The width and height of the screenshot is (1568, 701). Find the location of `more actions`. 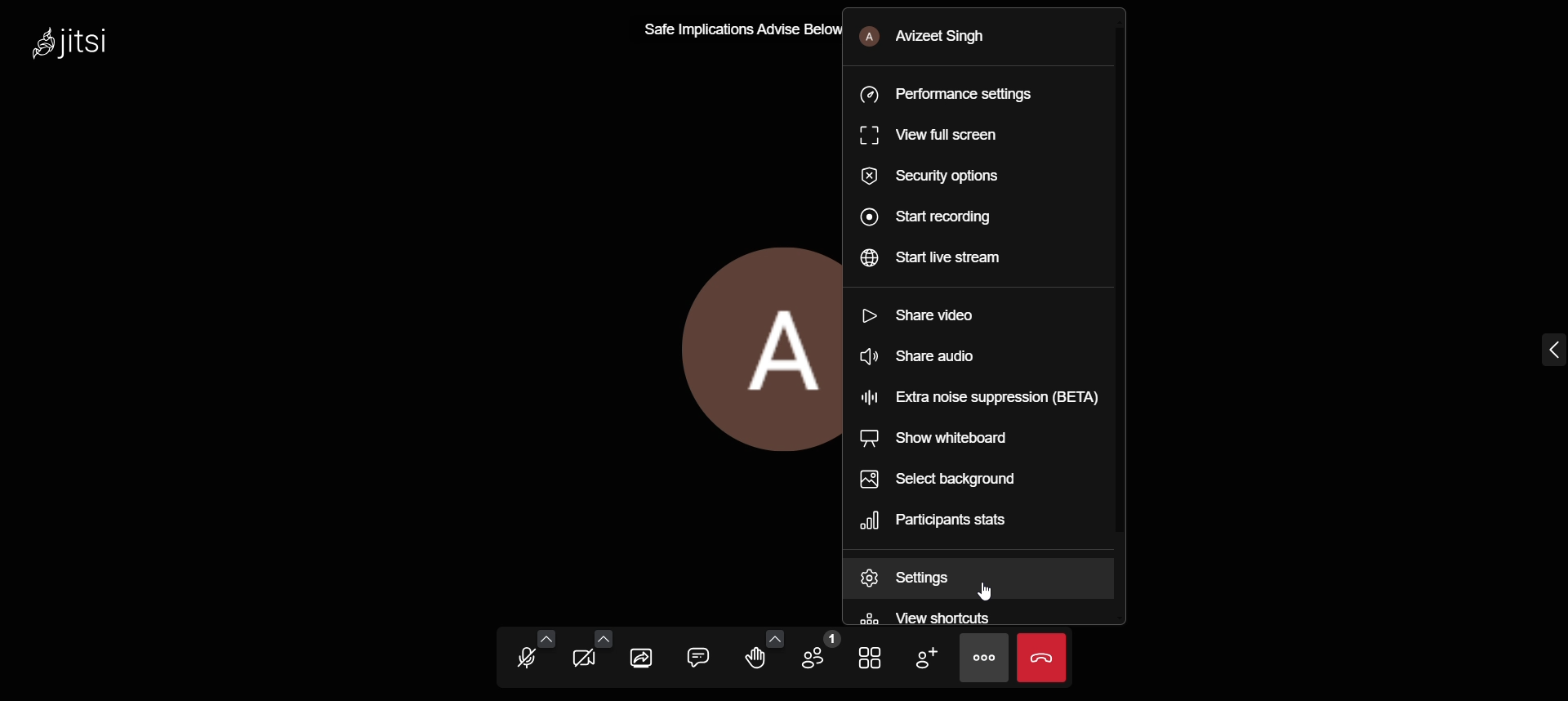

more actions is located at coordinates (981, 659).